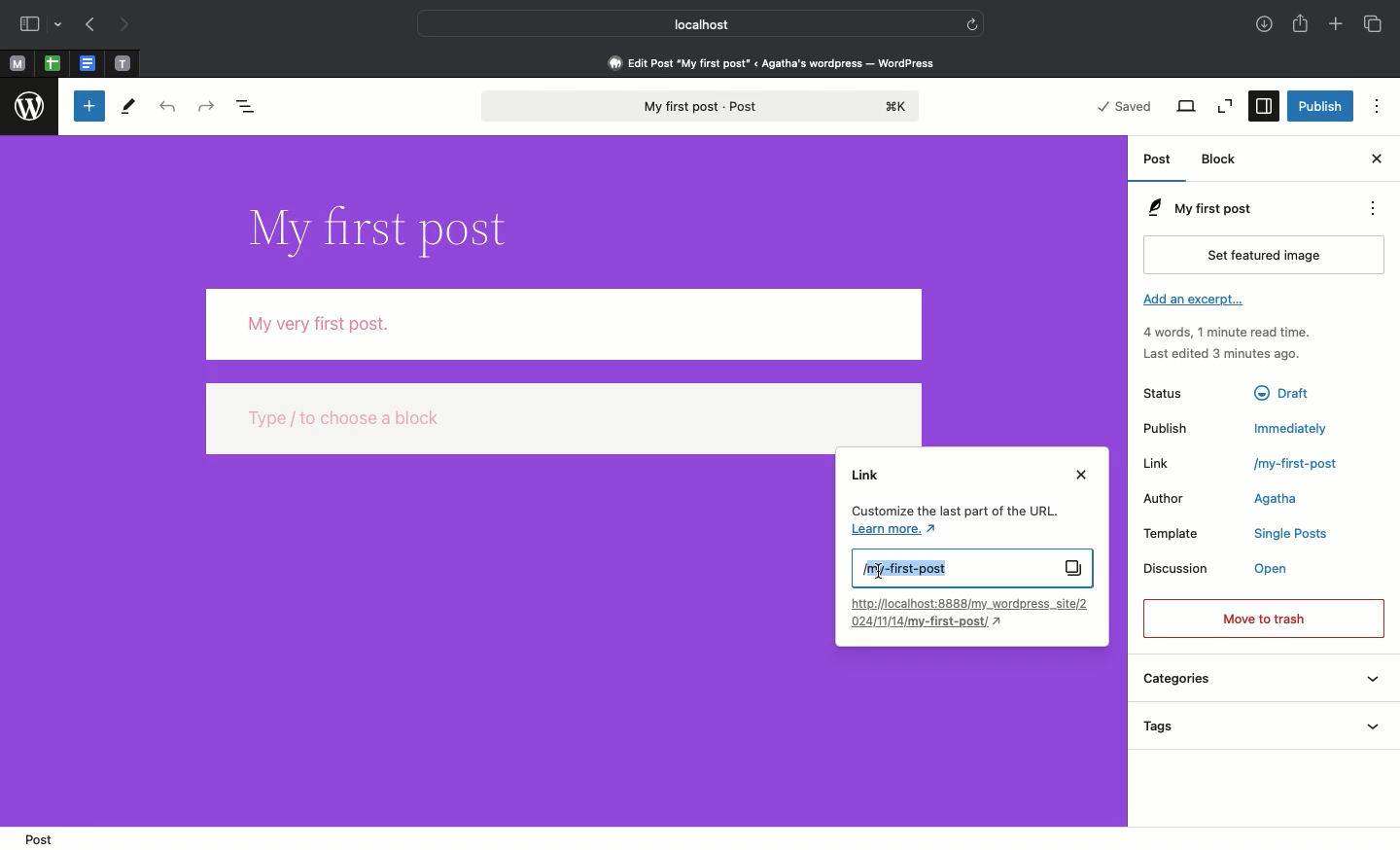  Describe the element at coordinates (204, 106) in the screenshot. I see `Redo` at that location.